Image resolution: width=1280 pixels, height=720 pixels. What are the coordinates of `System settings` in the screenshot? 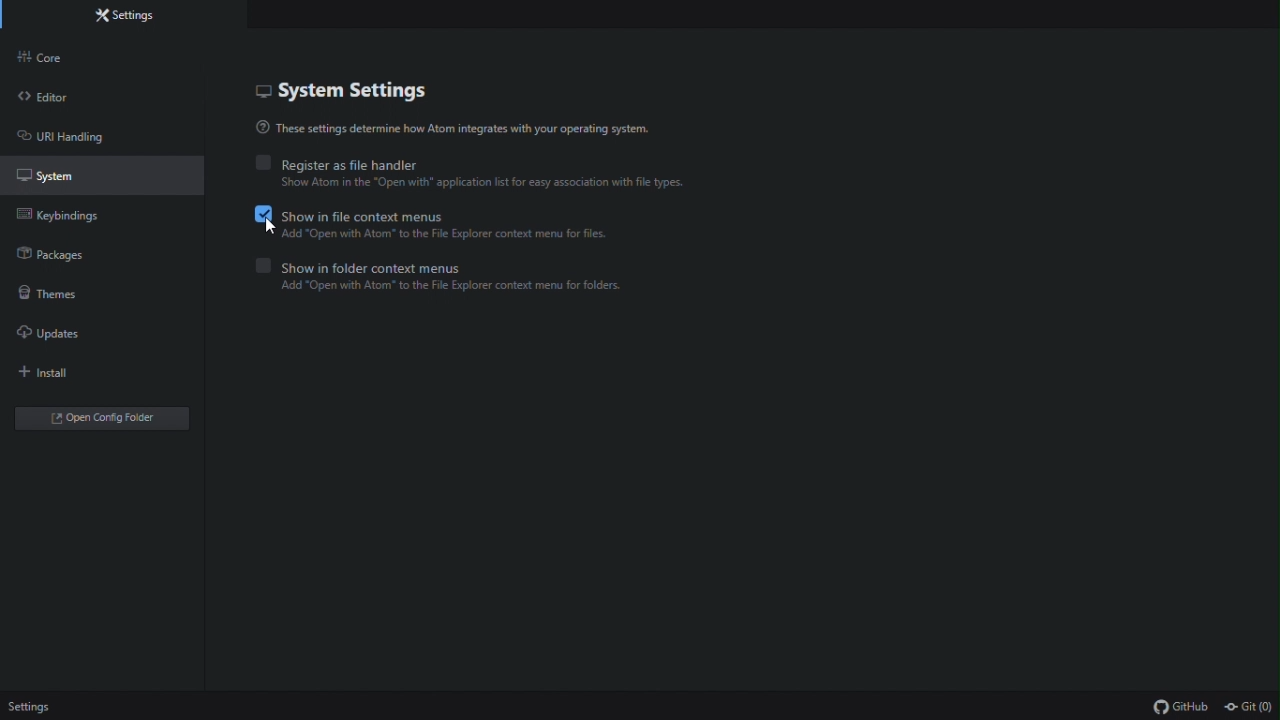 It's located at (374, 94).